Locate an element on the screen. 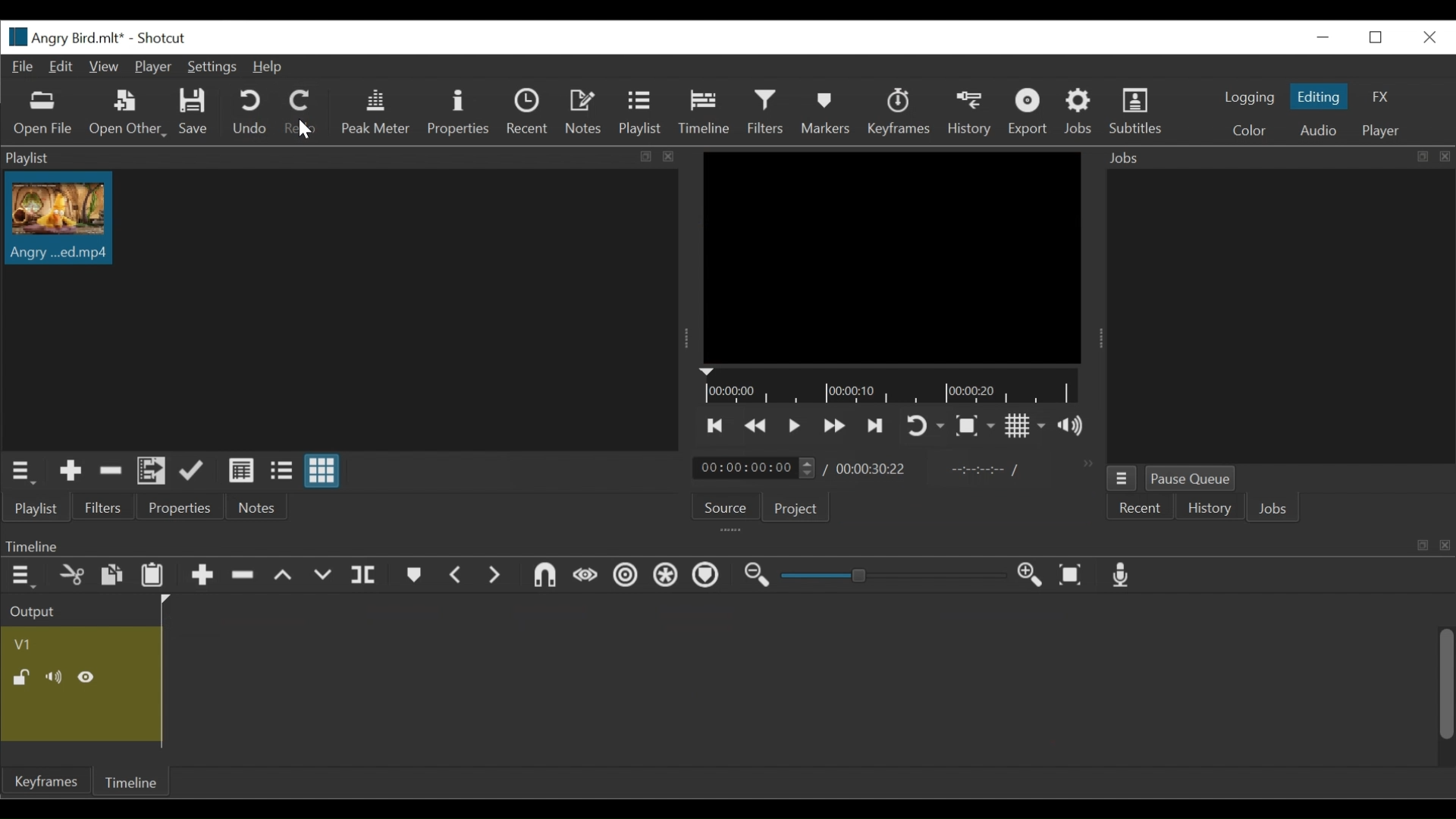  Properties is located at coordinates (176, 506).